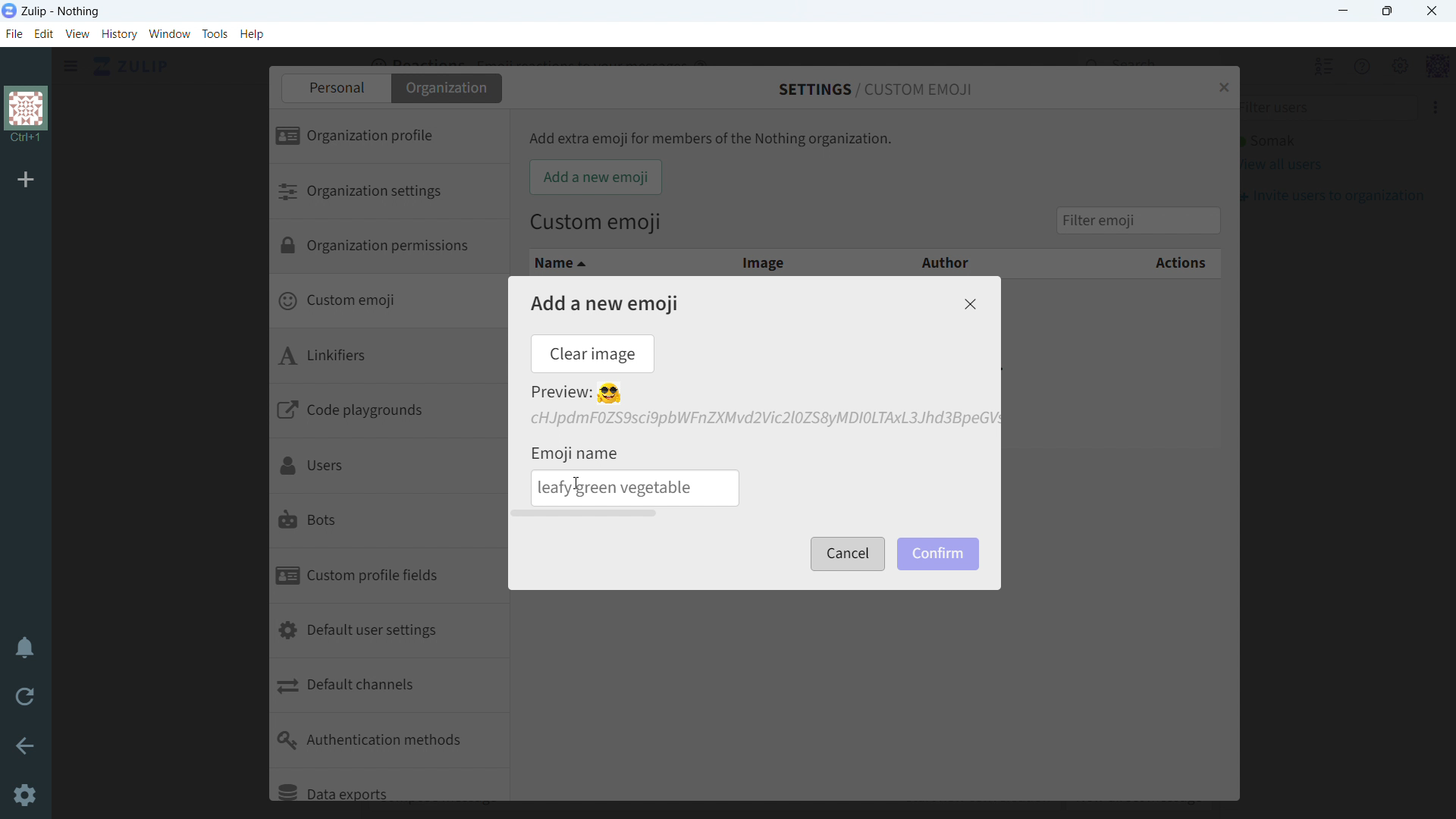 The width and height of the screenshot is (1456, 819). I want to click on scroll up, so click(1447, 55).